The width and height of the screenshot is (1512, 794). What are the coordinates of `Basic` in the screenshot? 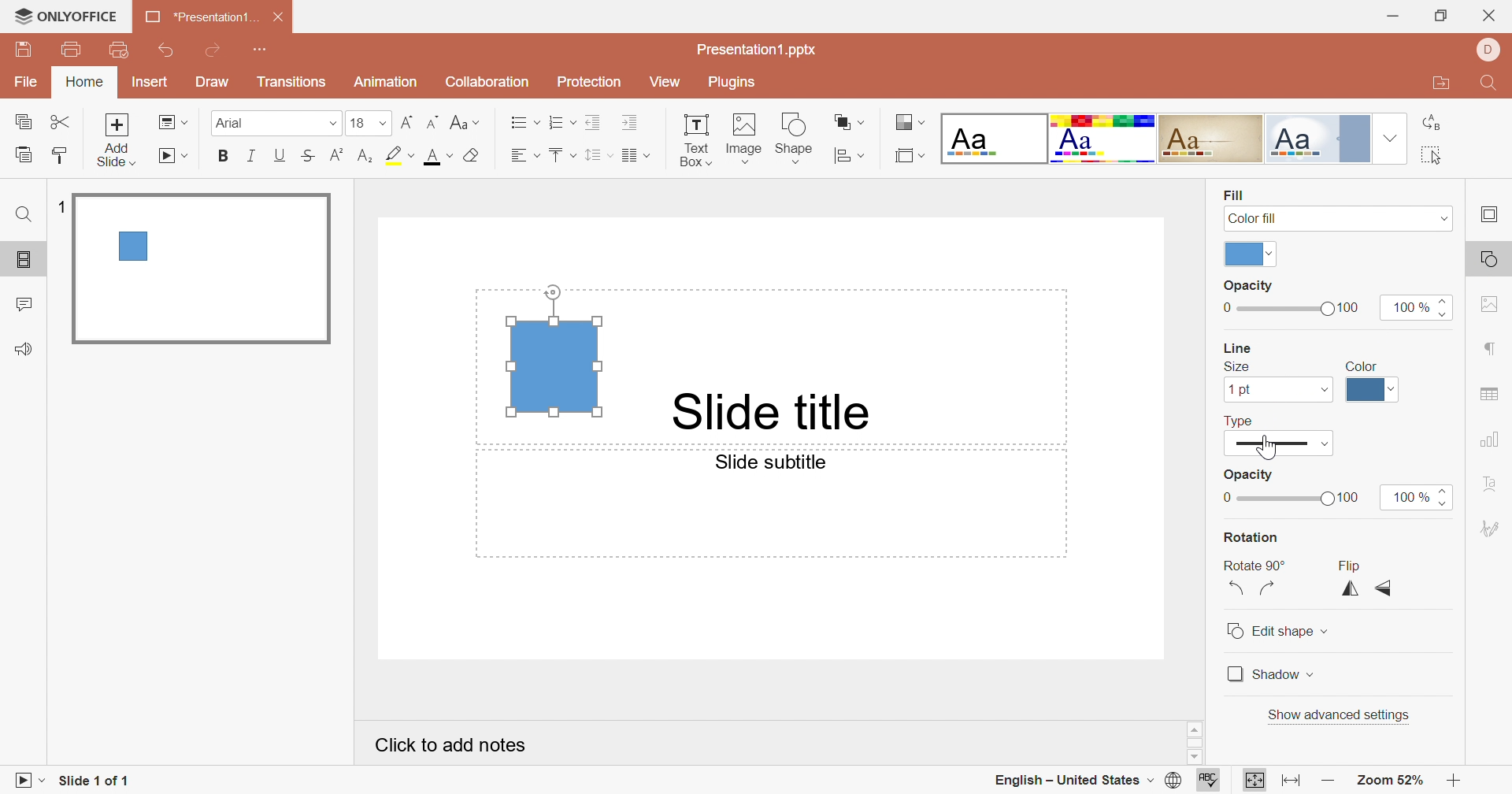 It's located at (1104, 138).